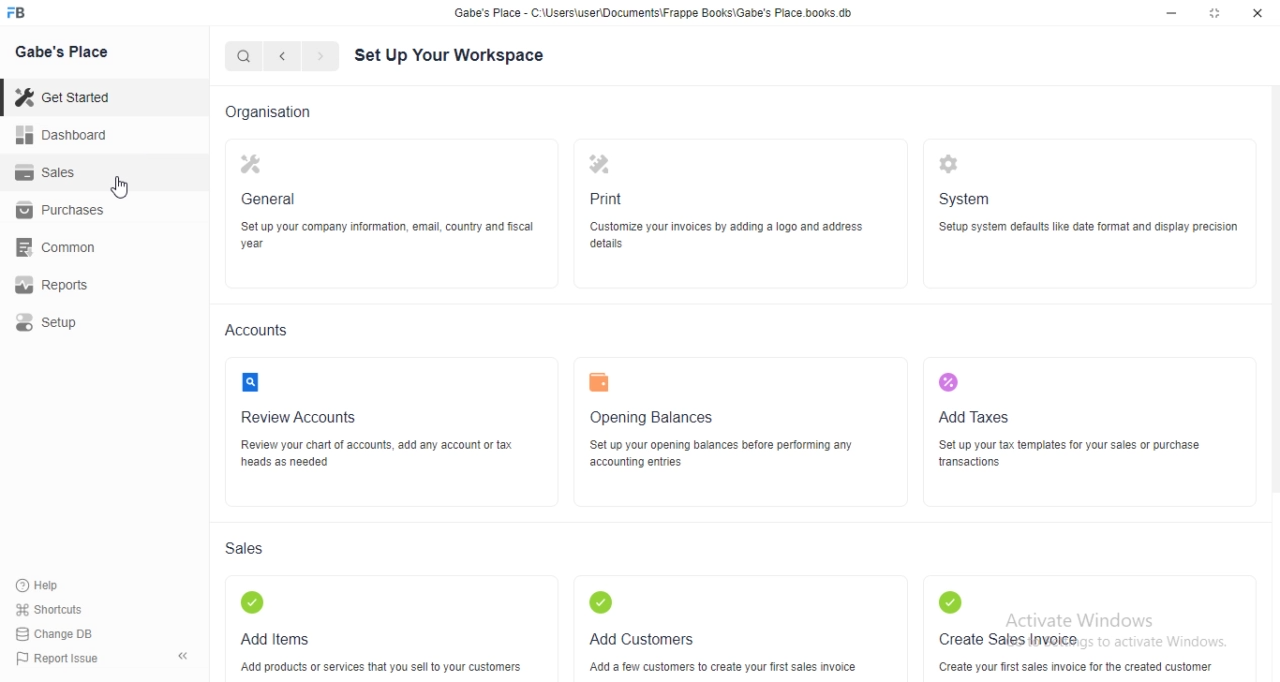 The image size is (1280, 682). What do you see at coordinates (47, 323) in the screenshot?
I see `setup` at bounding box center [47, 323].